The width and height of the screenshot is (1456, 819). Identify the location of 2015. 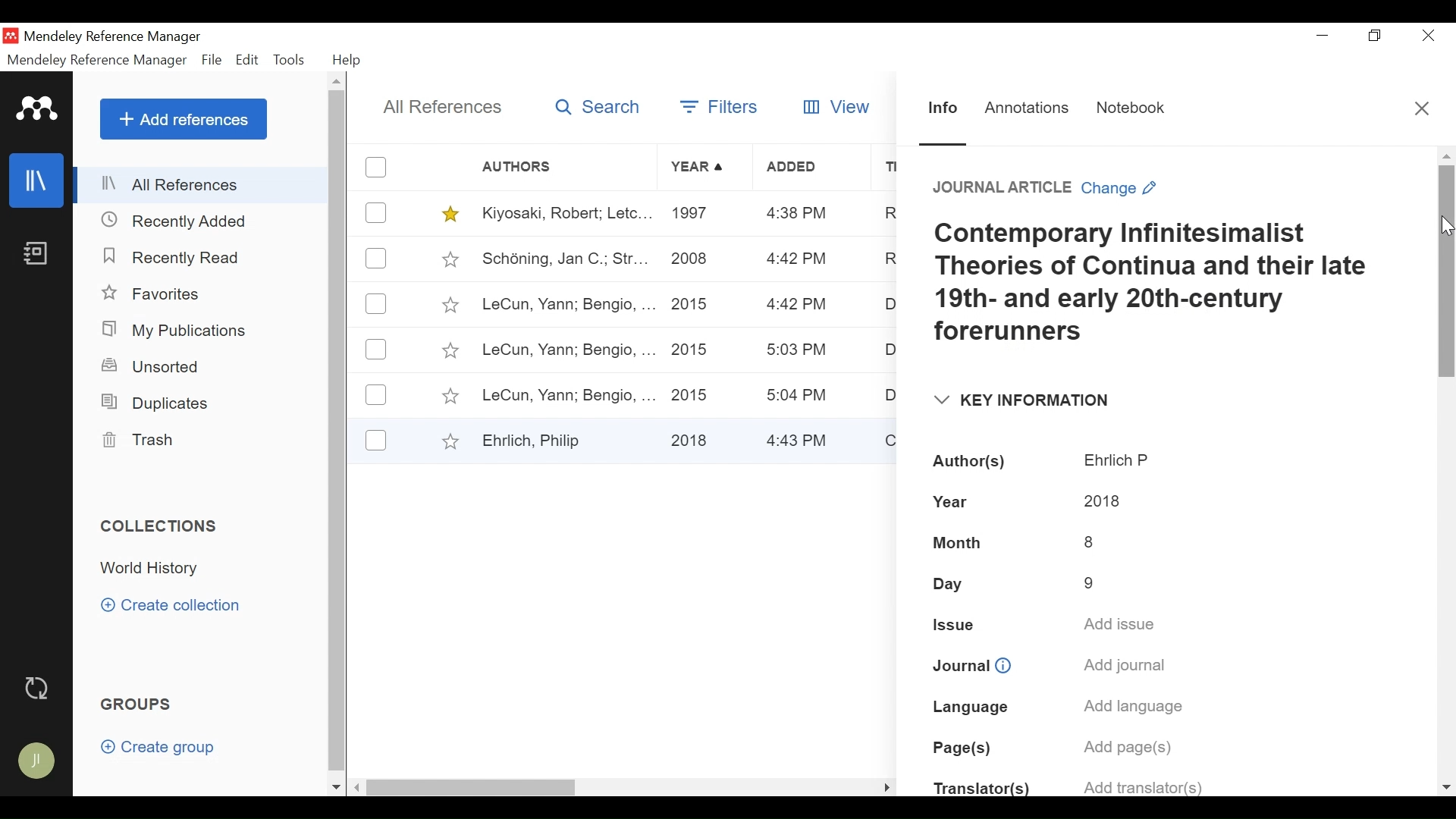
(693, 350).